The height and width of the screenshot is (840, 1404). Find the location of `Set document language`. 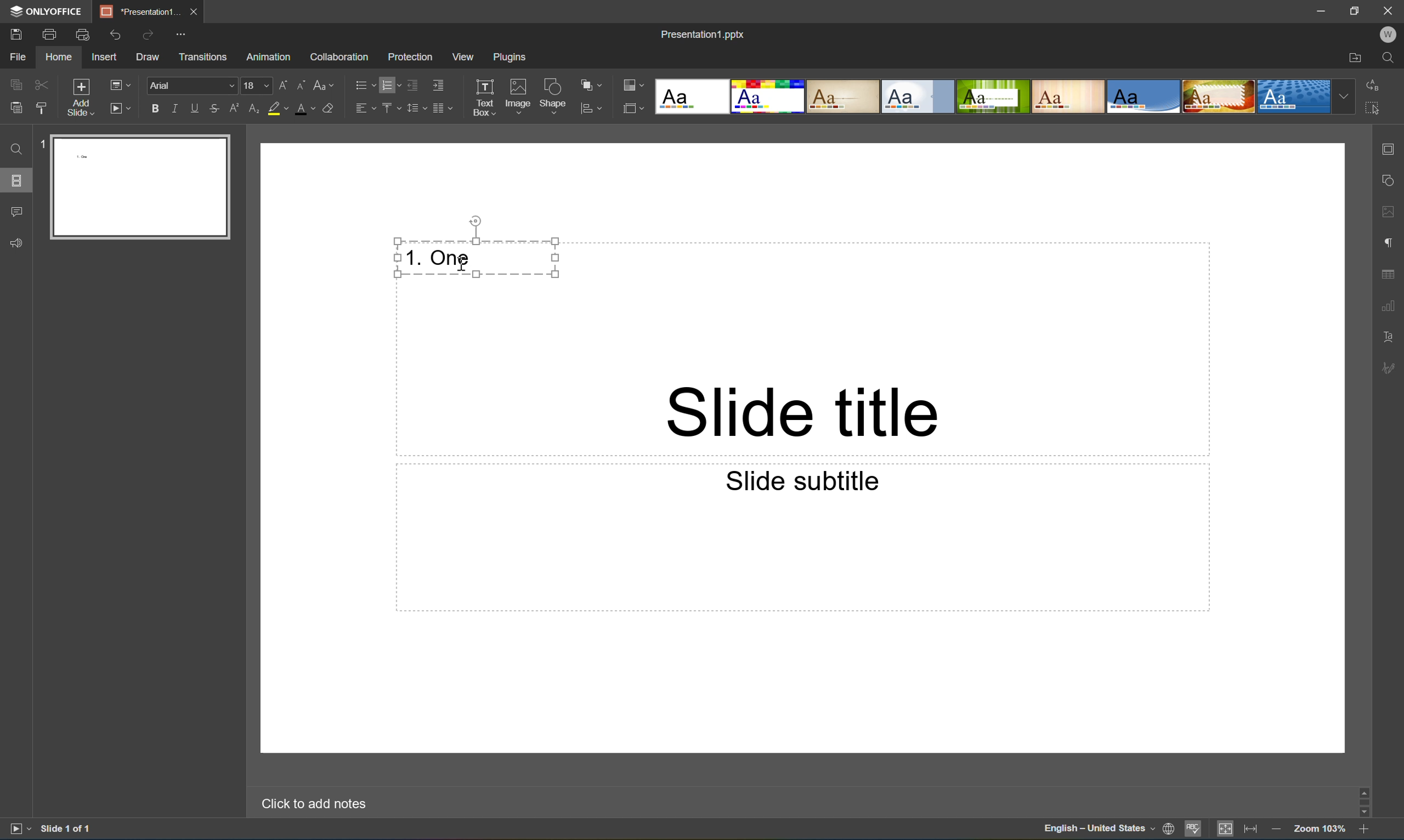

Set document language is located at coordinates (1167, 830).